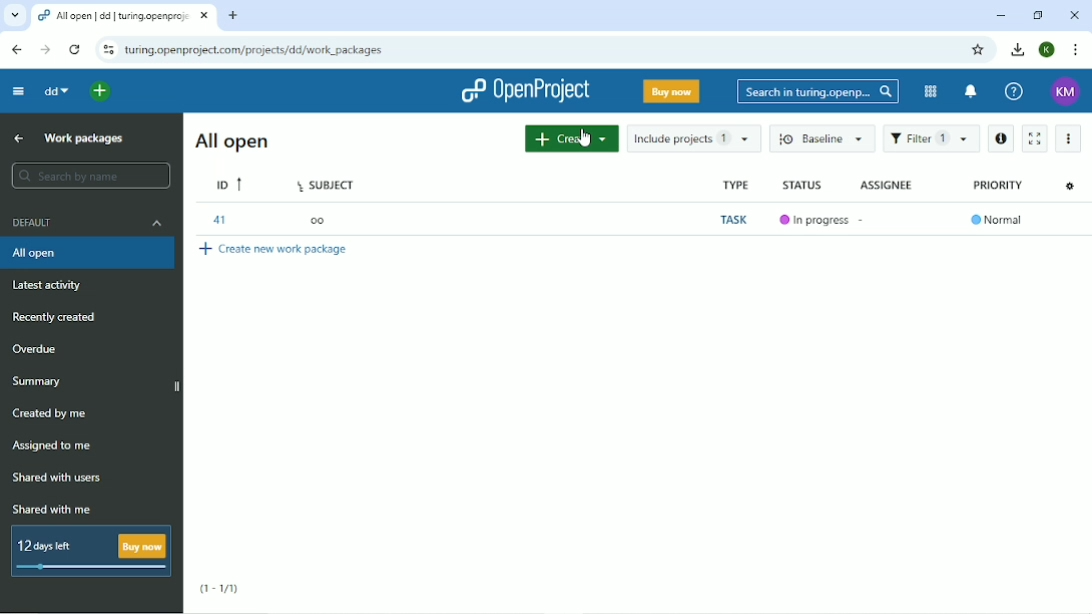  Describe the element at coordinates (1018, 49) in the screenshot. I see `Downloads` at that location.